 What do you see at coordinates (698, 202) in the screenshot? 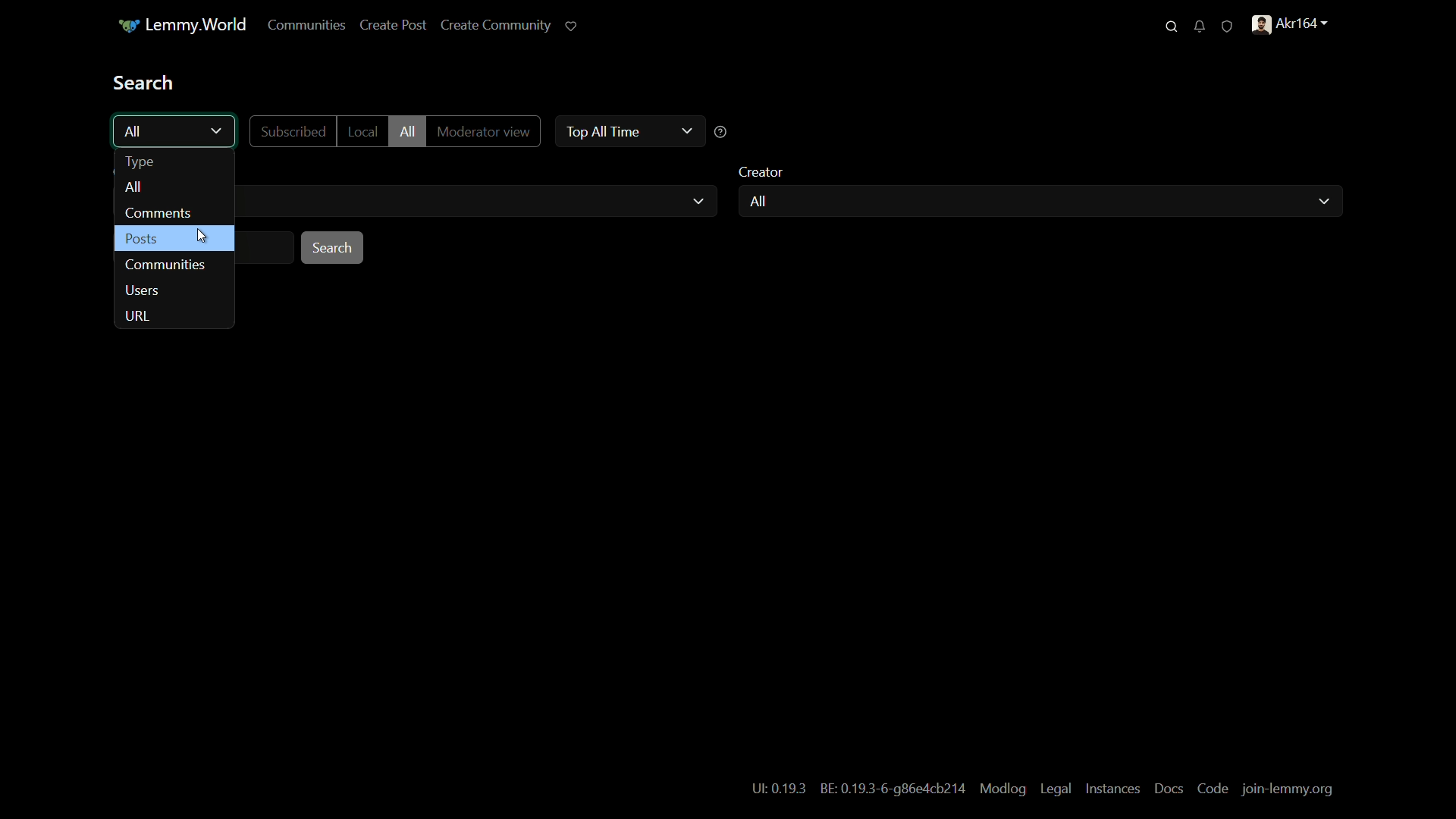
I see `dropdown` at bounding box center [698, 202].